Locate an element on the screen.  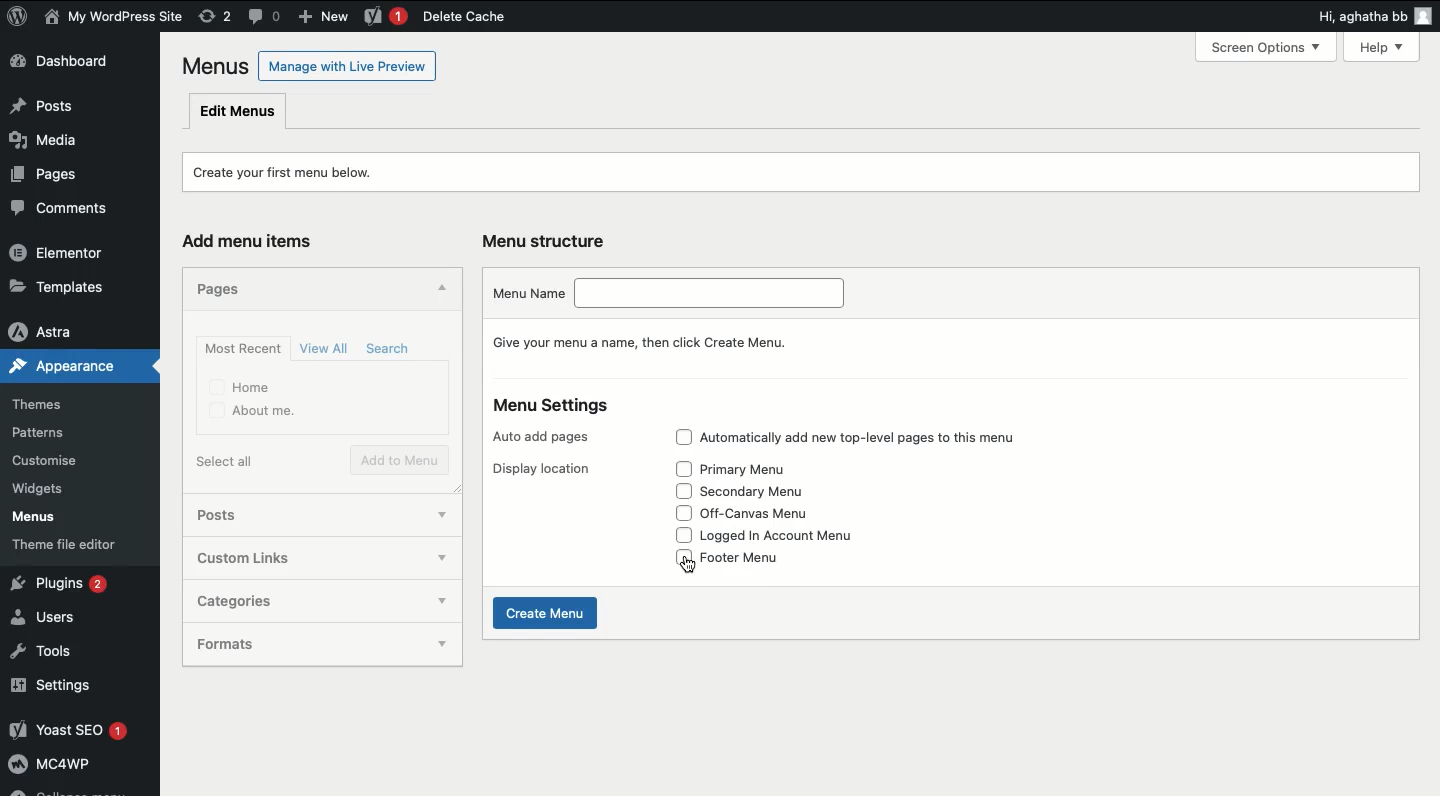
Pages is located at coordinates (43, 179).